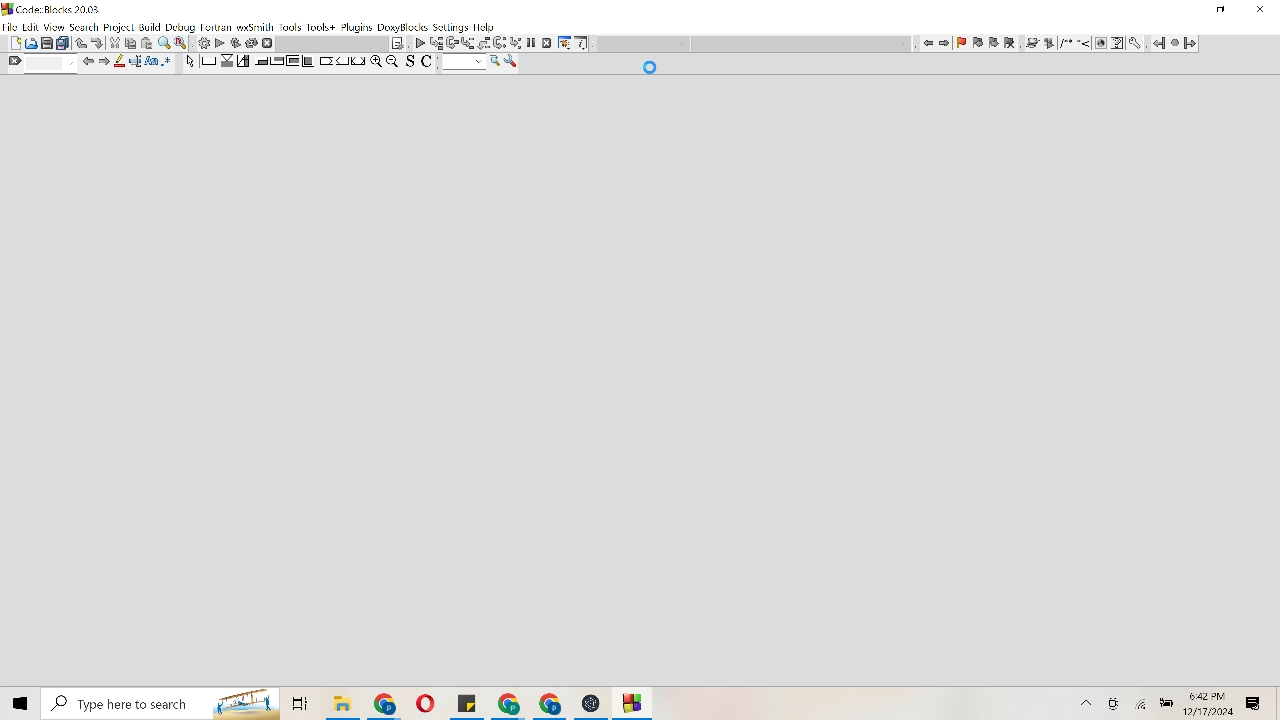 This screenshot has height=720, width=1280. I want to click on File, so click(342, 703).